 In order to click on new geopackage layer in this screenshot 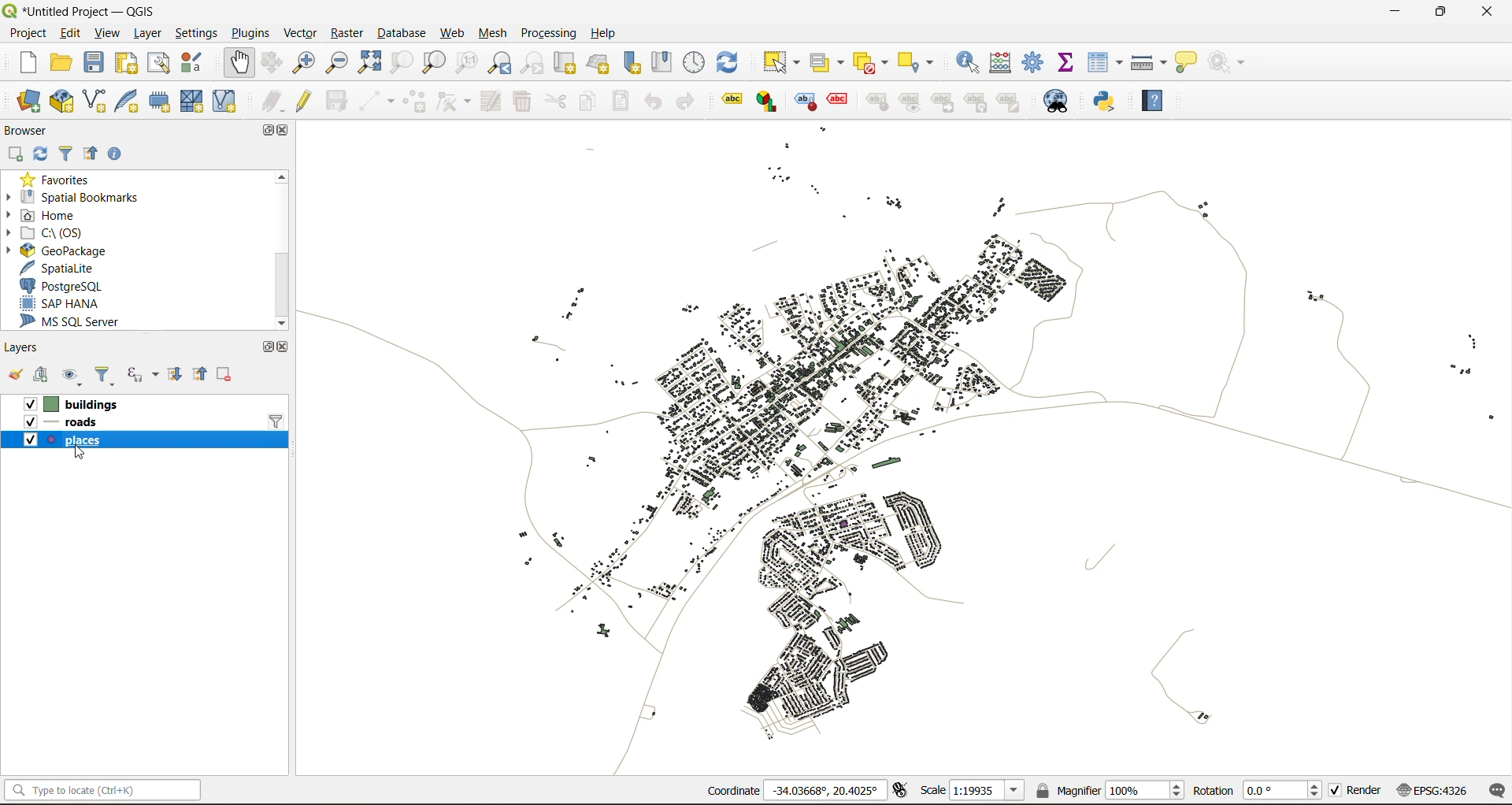, I will do `click(61, 102)`.